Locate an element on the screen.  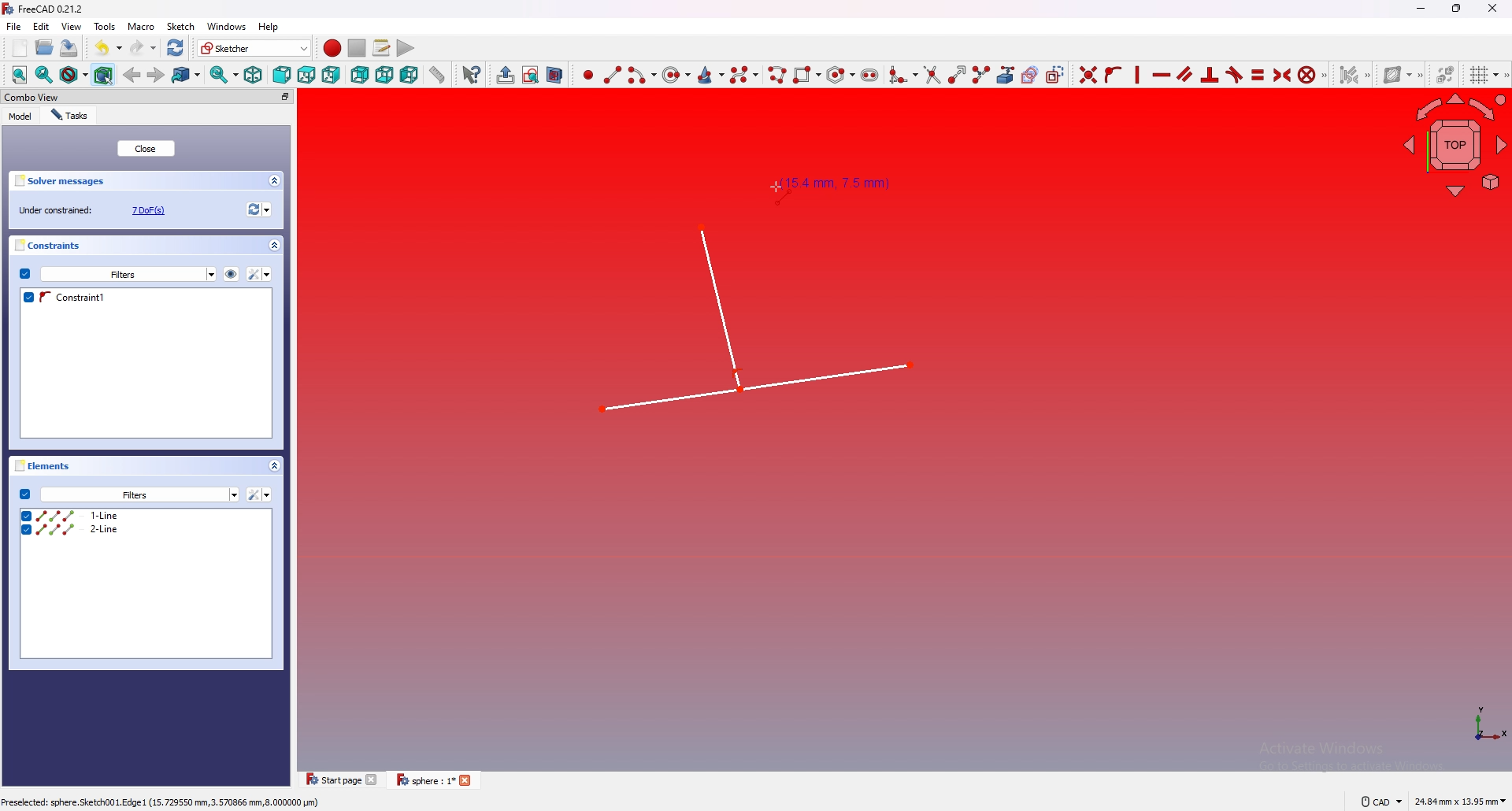
Stop macro recording is located at coordinates (357, 48).